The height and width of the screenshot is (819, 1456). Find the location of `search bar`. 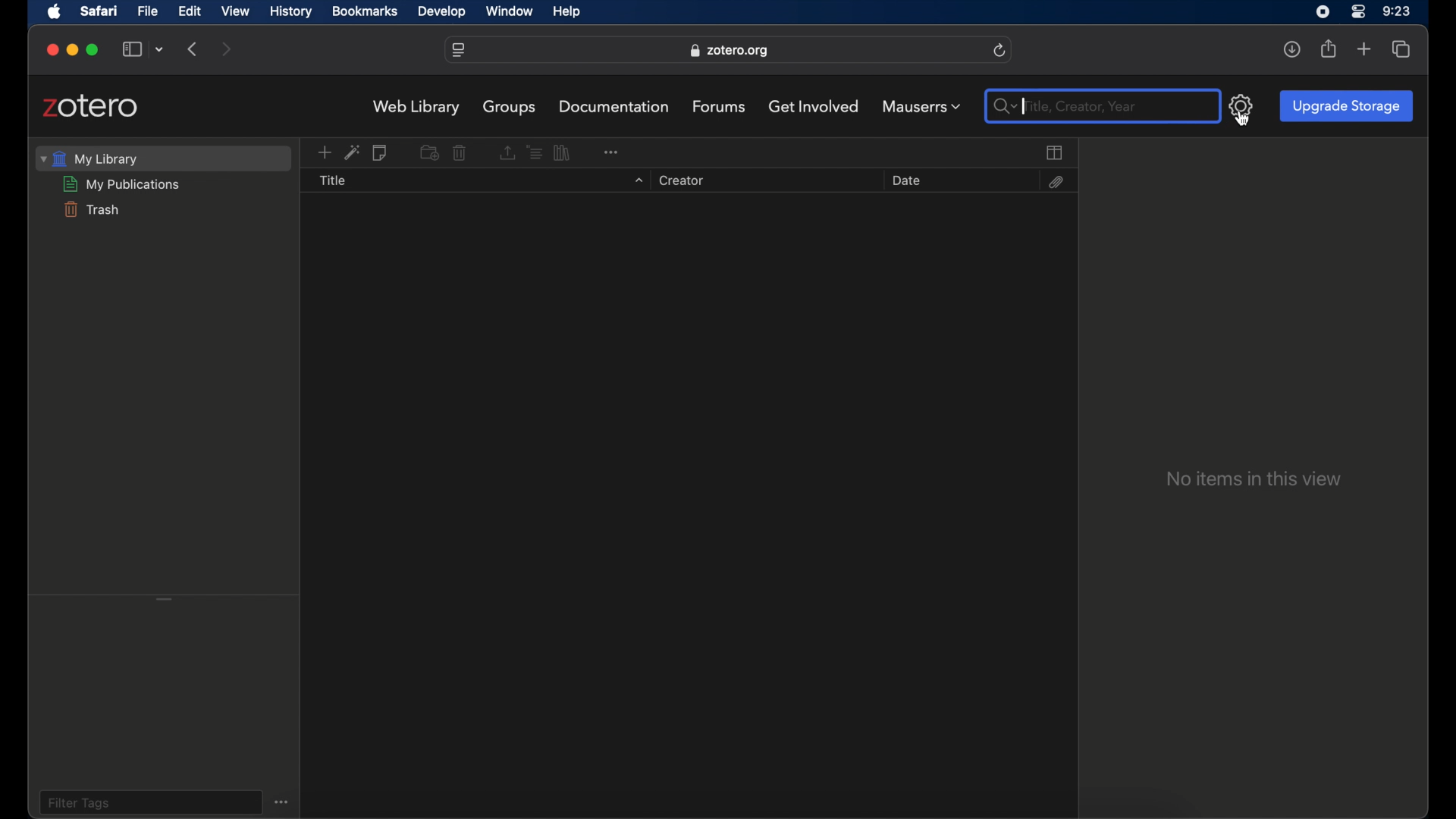

search bar is located at coordinates (1001, 107).